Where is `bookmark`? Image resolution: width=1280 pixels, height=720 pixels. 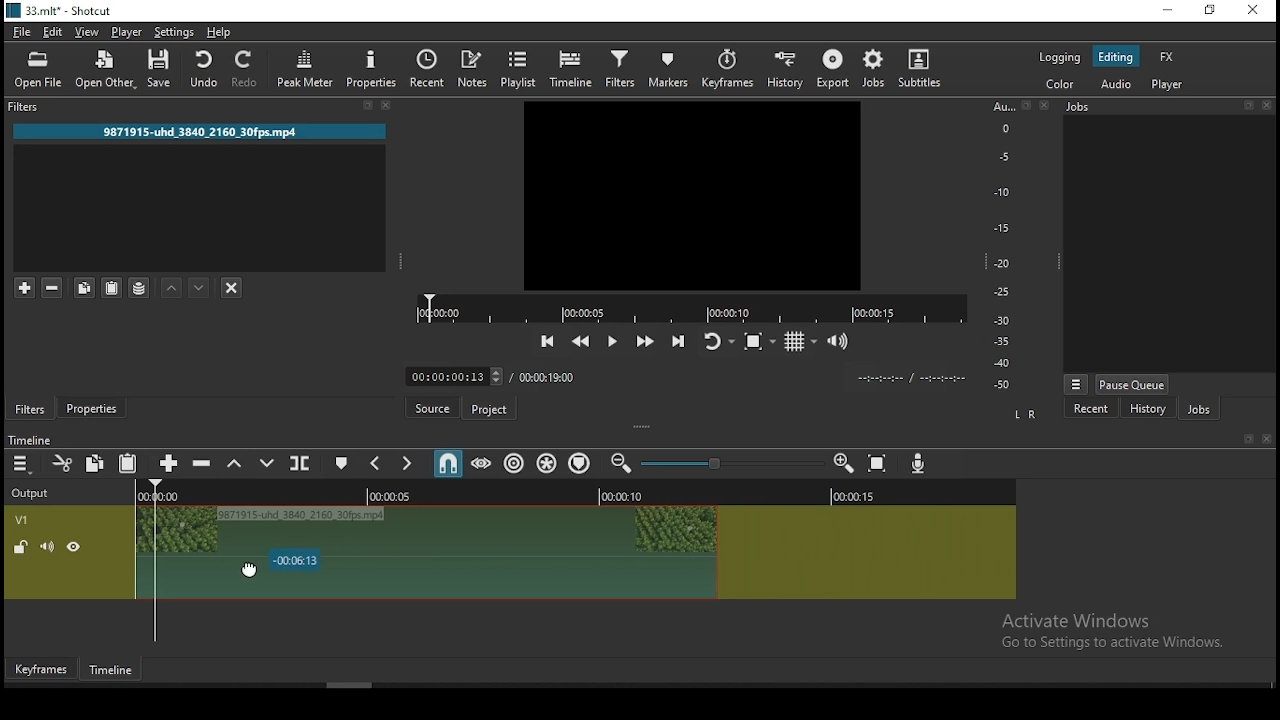
bookmark is located at coordinates (1245, 439).